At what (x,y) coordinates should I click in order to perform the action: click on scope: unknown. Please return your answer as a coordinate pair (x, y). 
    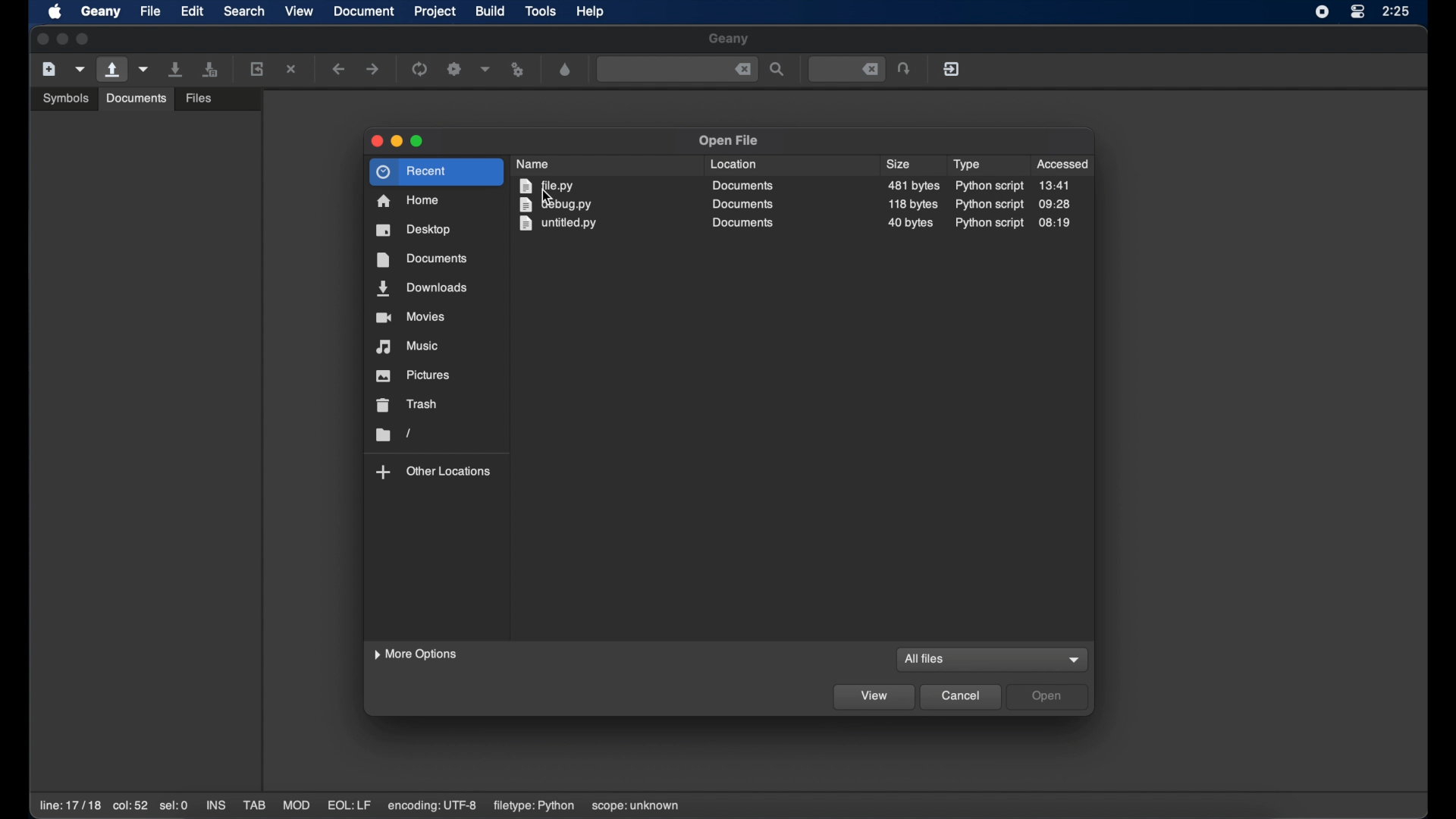
    Looking at the image, I should click on (637, 807).